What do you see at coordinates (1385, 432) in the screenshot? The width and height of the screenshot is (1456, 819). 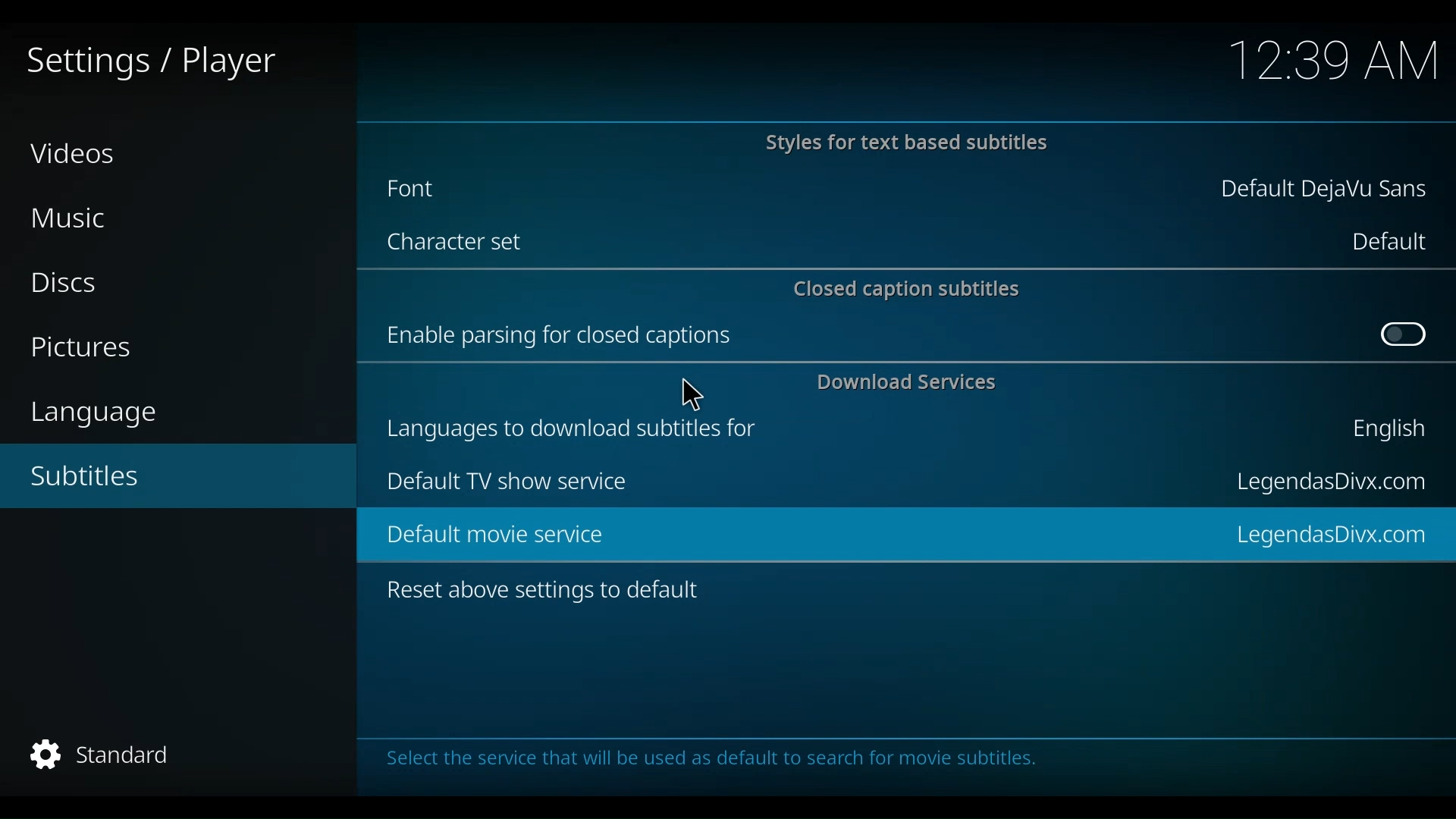 I see `English` at bounding box center [1385, 432].